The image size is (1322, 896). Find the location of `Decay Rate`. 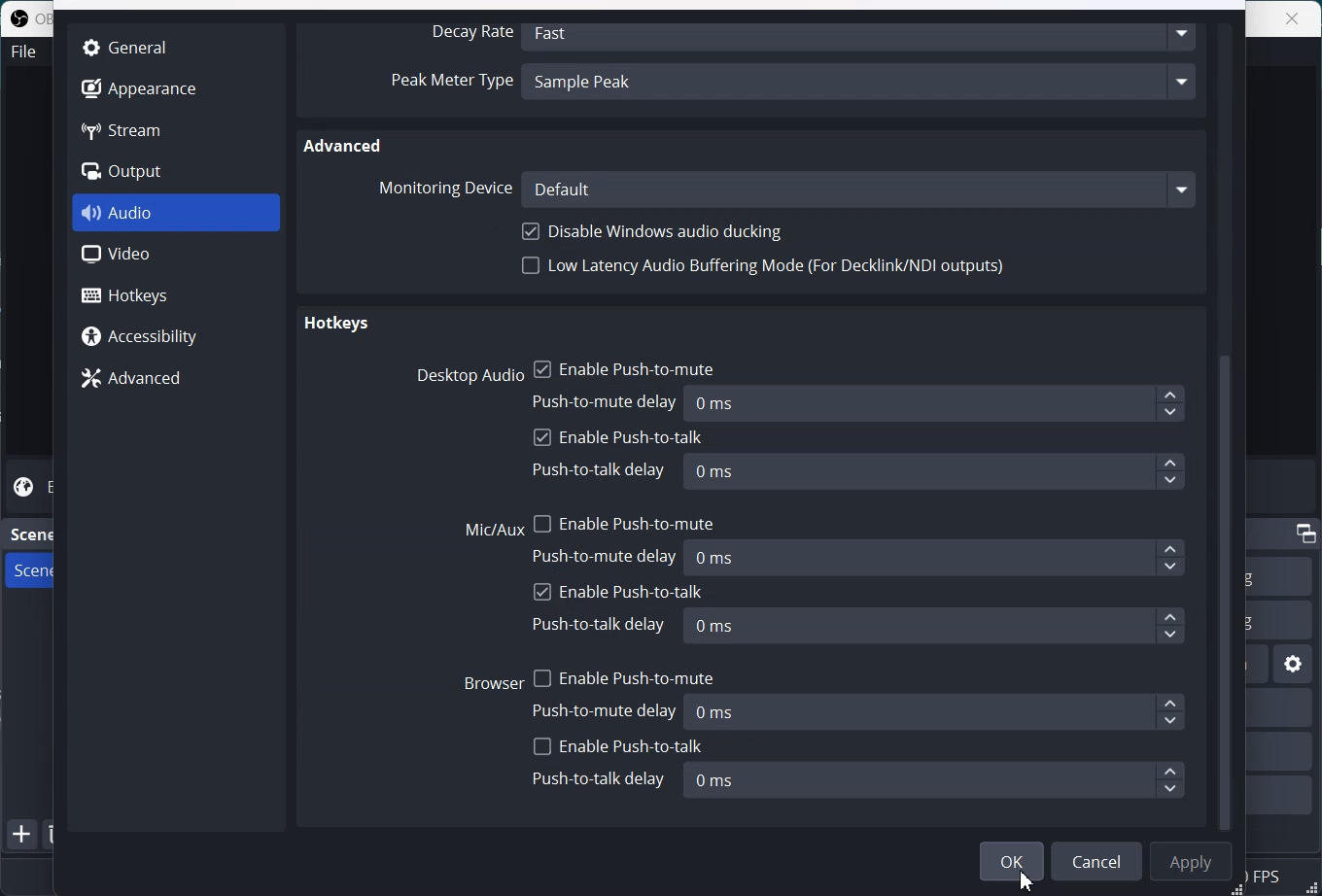

Decay Rate is located at coordinates (468, 33).